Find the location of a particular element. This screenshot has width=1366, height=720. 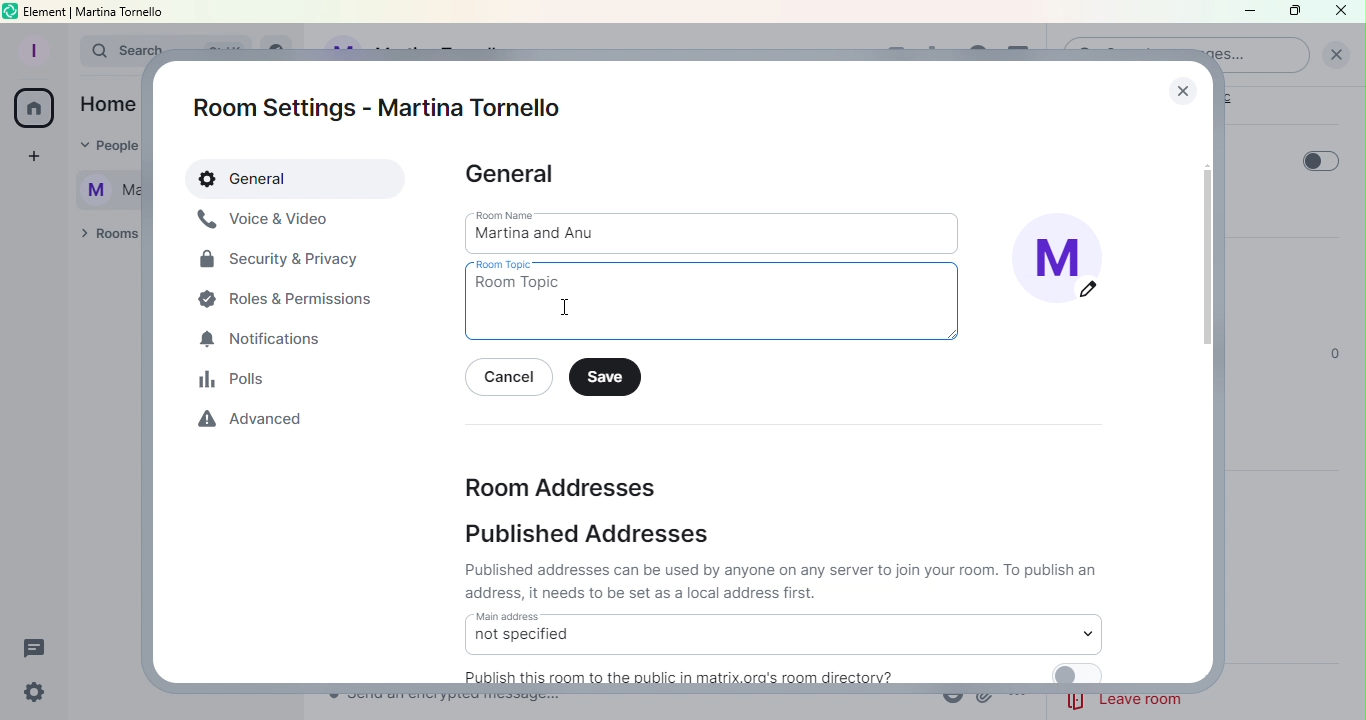

Roles and permissions is located at coordinates (291, 298).